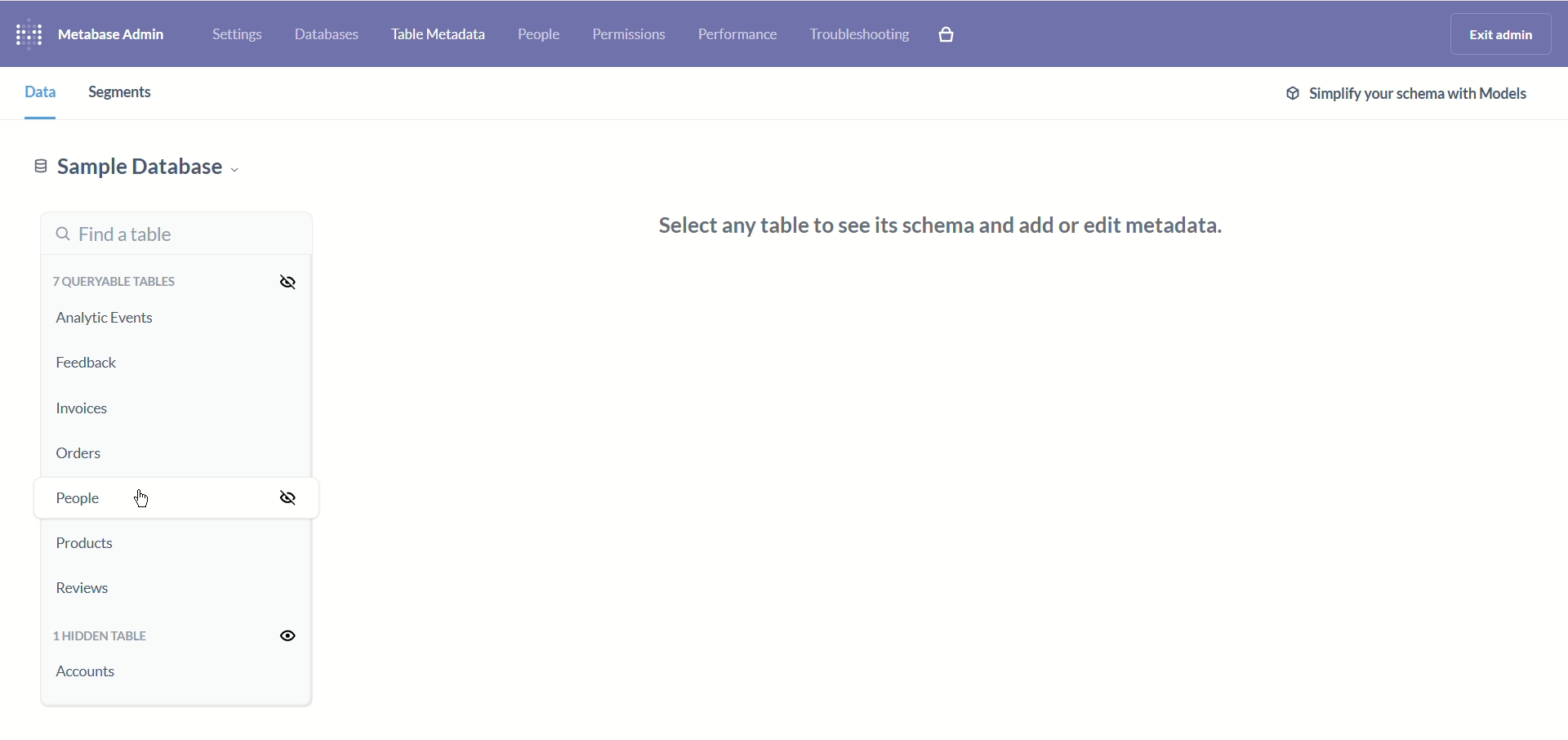 The height and width of the screenshot is (740, 1568). Describe the element at coordinates (329, 32) in the screenshot. I see `Databases` at that location.